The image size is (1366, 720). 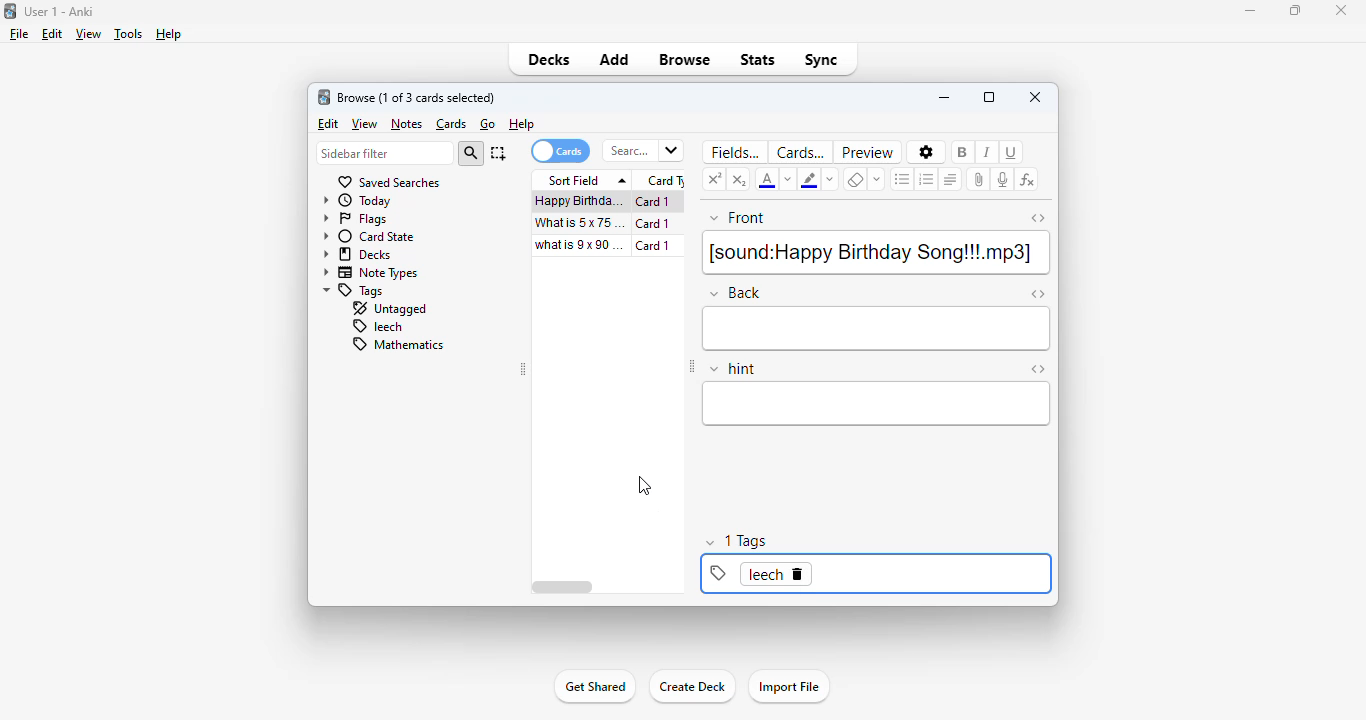 I want to click on select formatting to remove, so click(x=878, y=179).